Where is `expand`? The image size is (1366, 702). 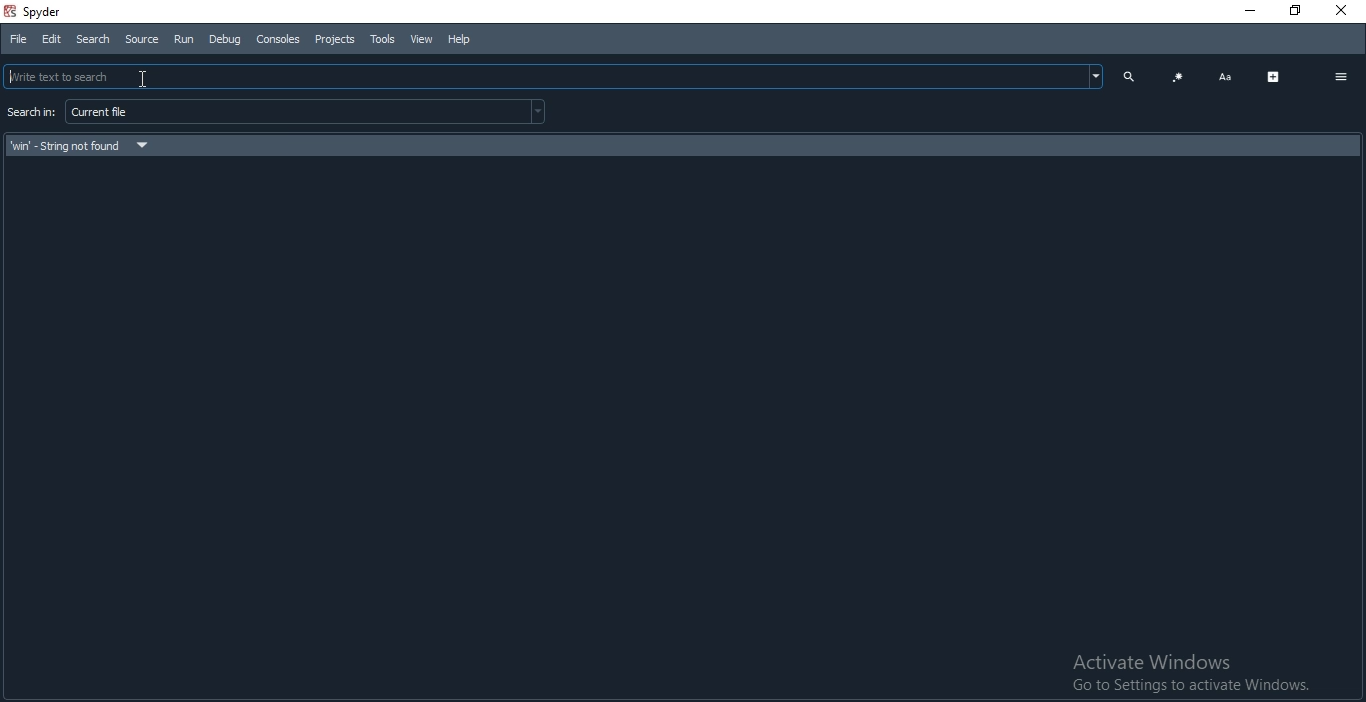
expand is located at coordinates (1273, 75).